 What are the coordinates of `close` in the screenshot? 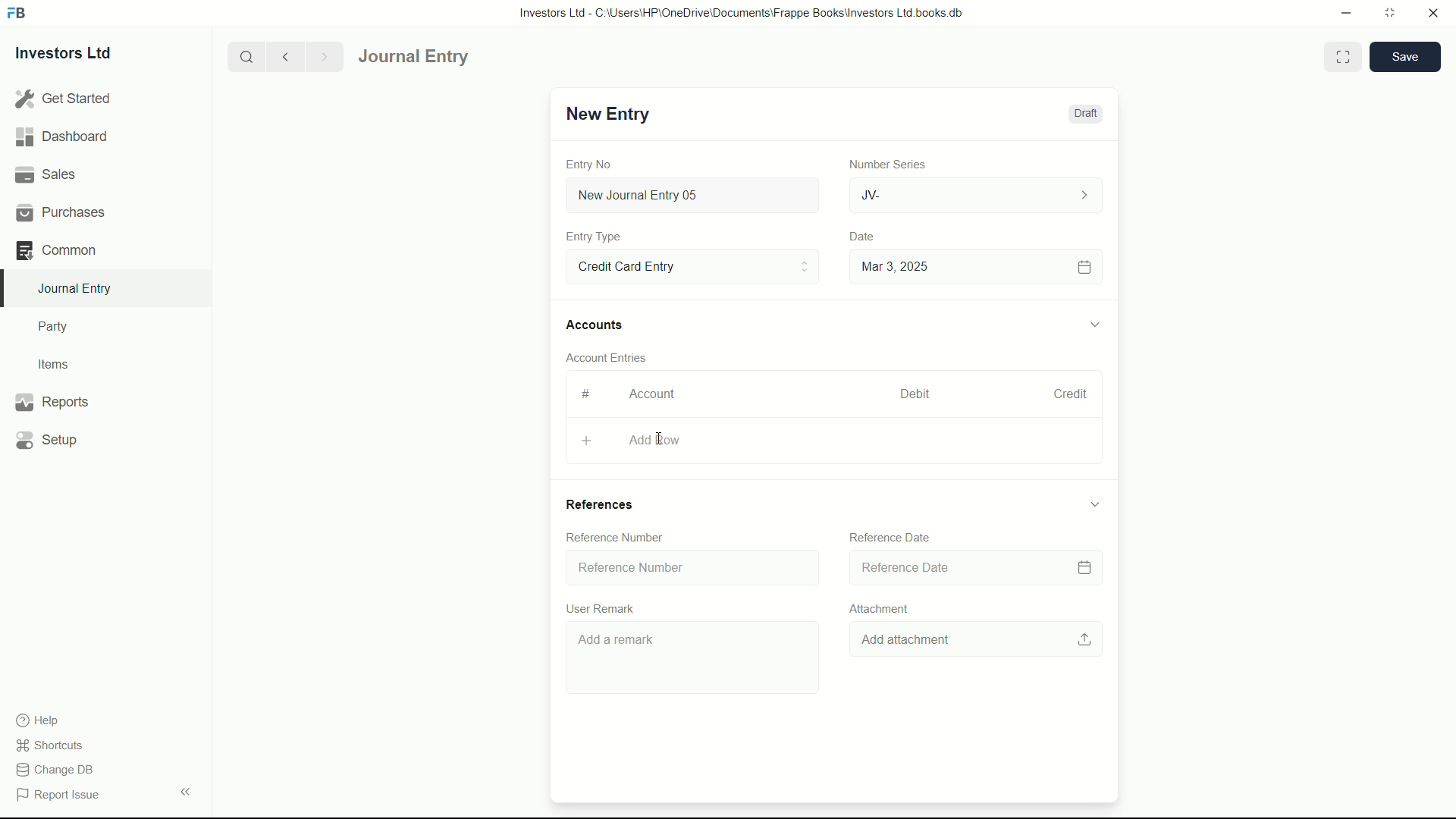 It's located at (1434, 14).